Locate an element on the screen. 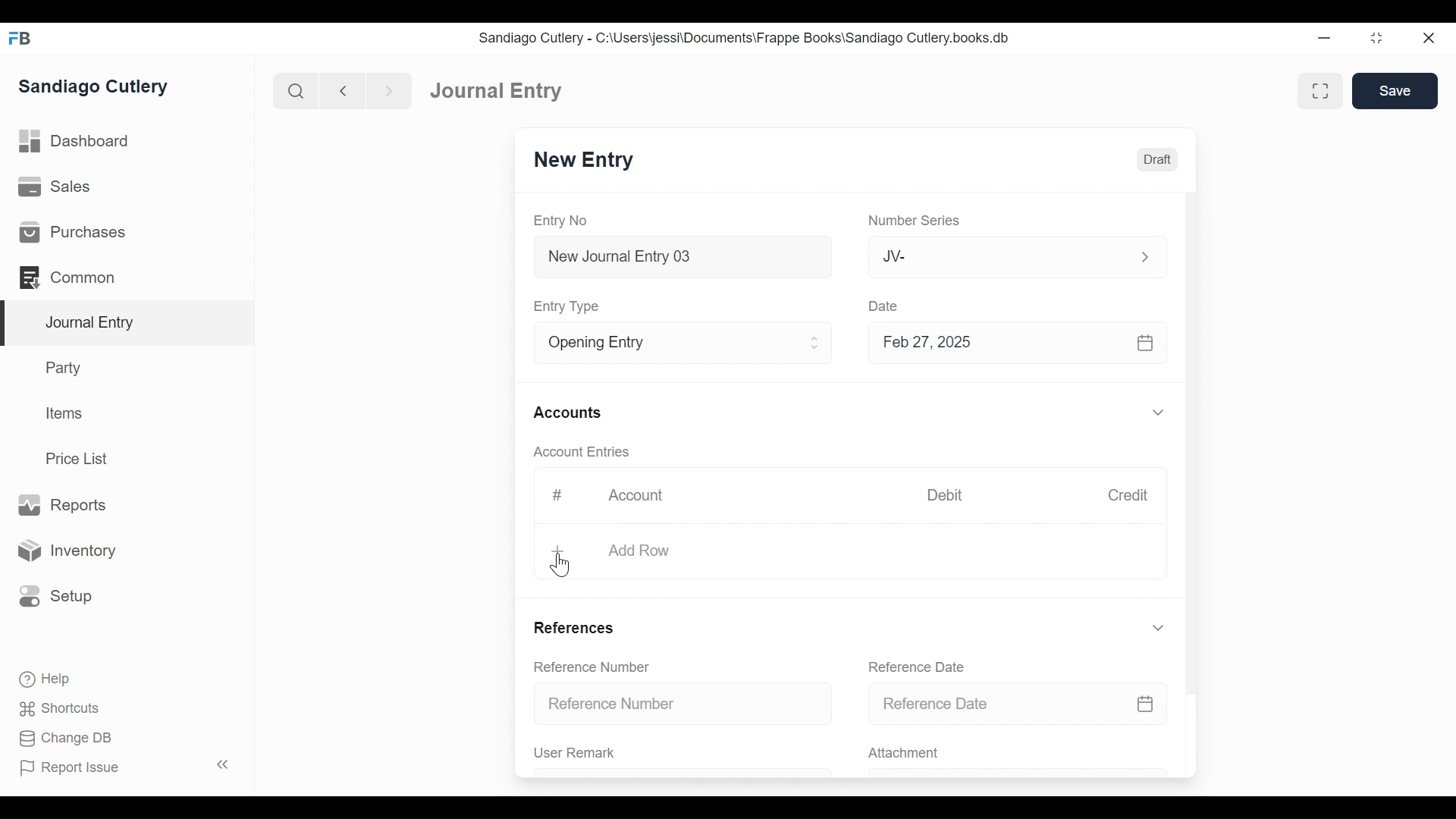 This screenshot has height=819, width=1456. Reference Date is located at coordinates (1029, 703).